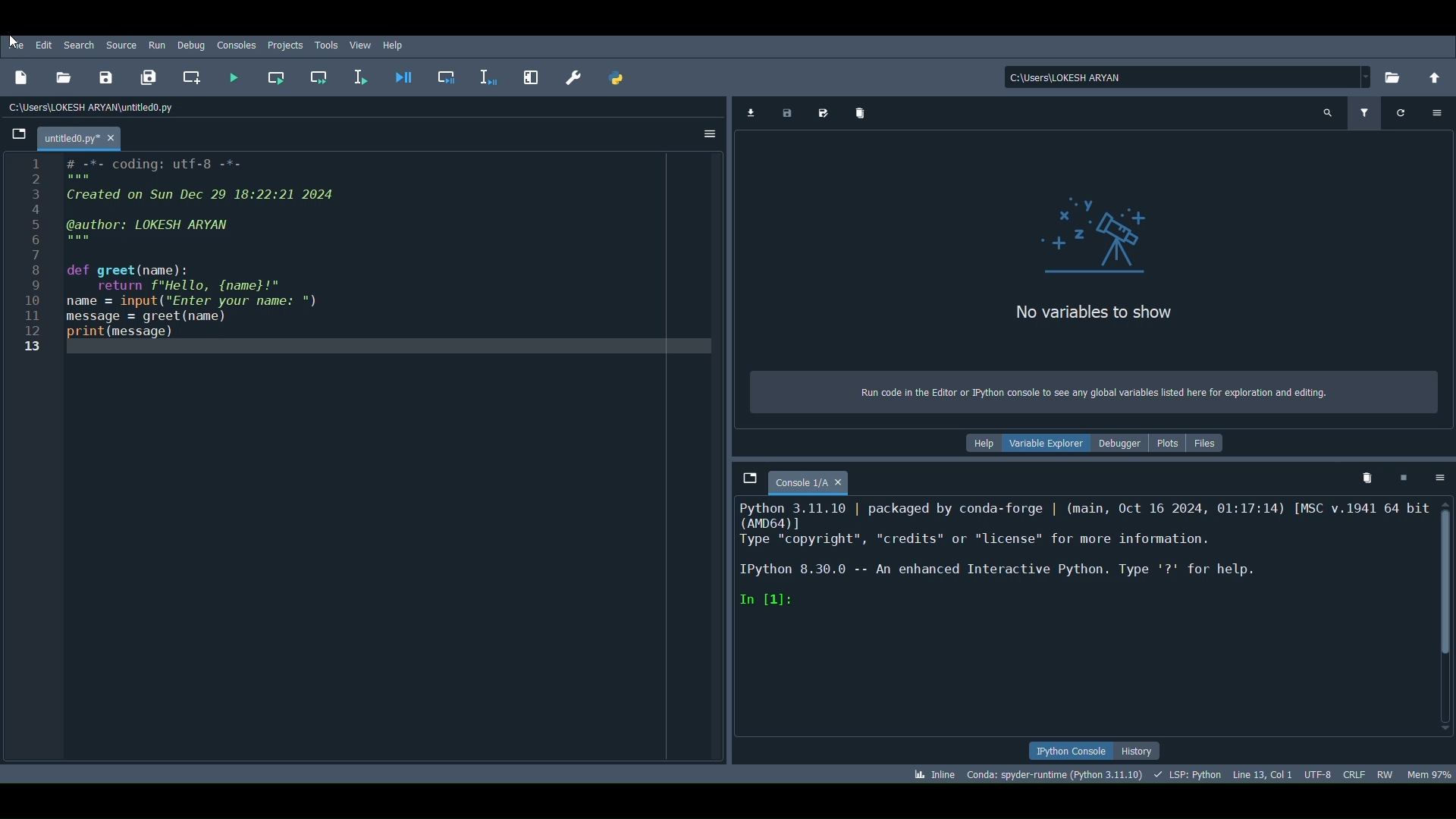 The image size is (1456, 819). What do you see at coordinates (747, 479) in the screenshot?
I see `Browse tabs` at bounding box center [747, 479].